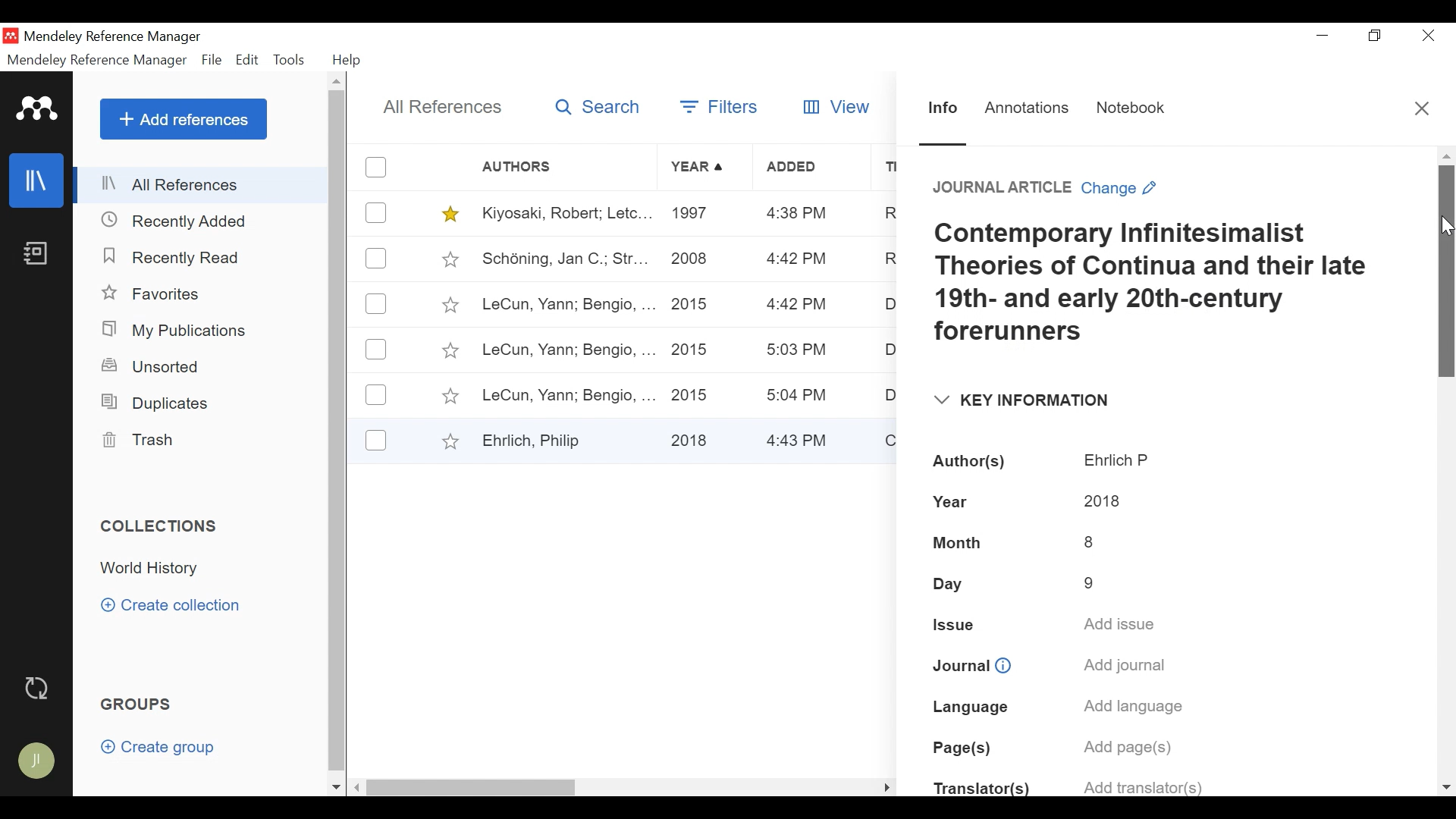 The width and height of the screenshot is (1456, 819). I want to click on Month, so click(959, 543).